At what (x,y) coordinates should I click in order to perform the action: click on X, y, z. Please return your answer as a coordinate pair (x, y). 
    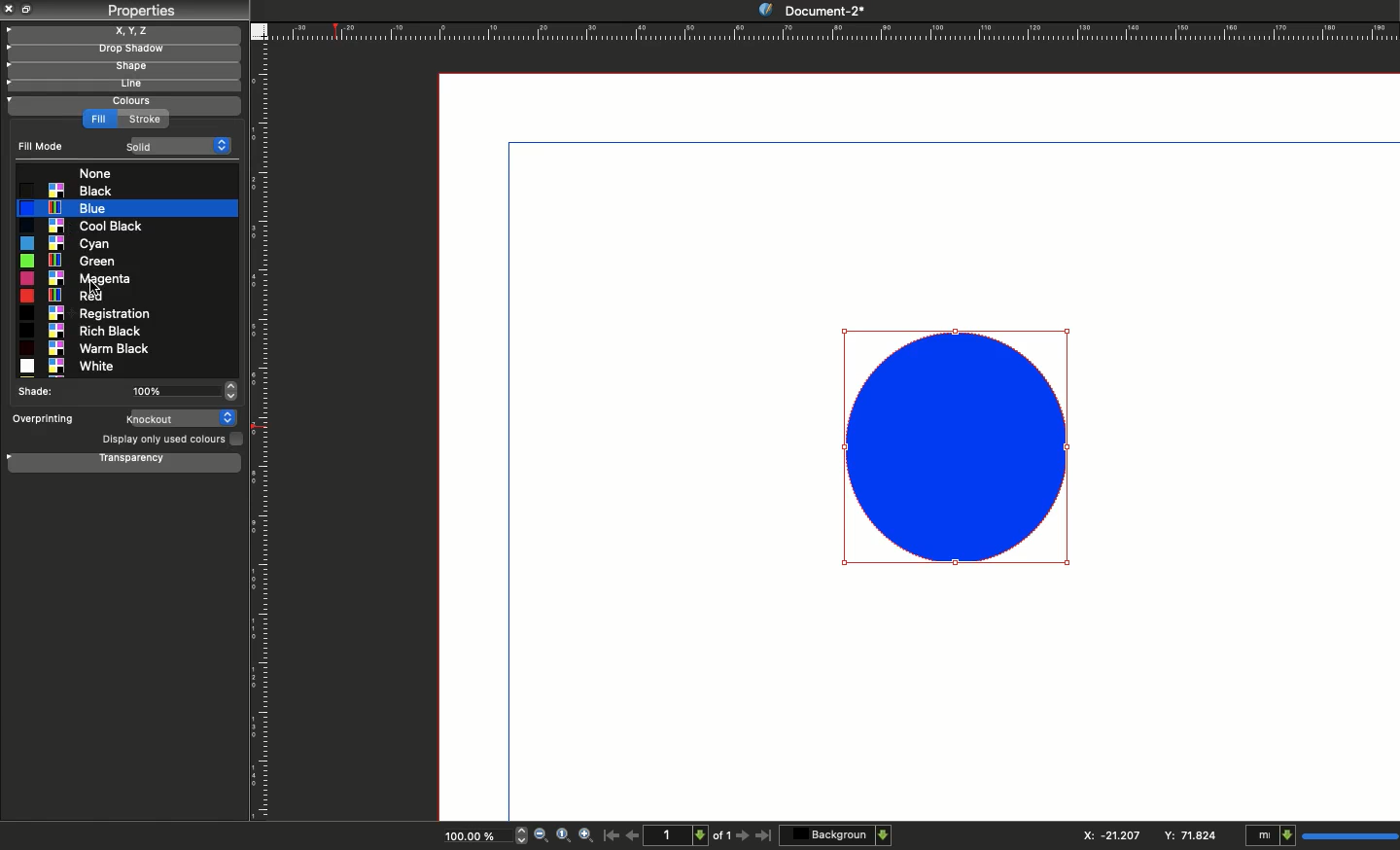
    Looking at the image, I should click on (123, 31).